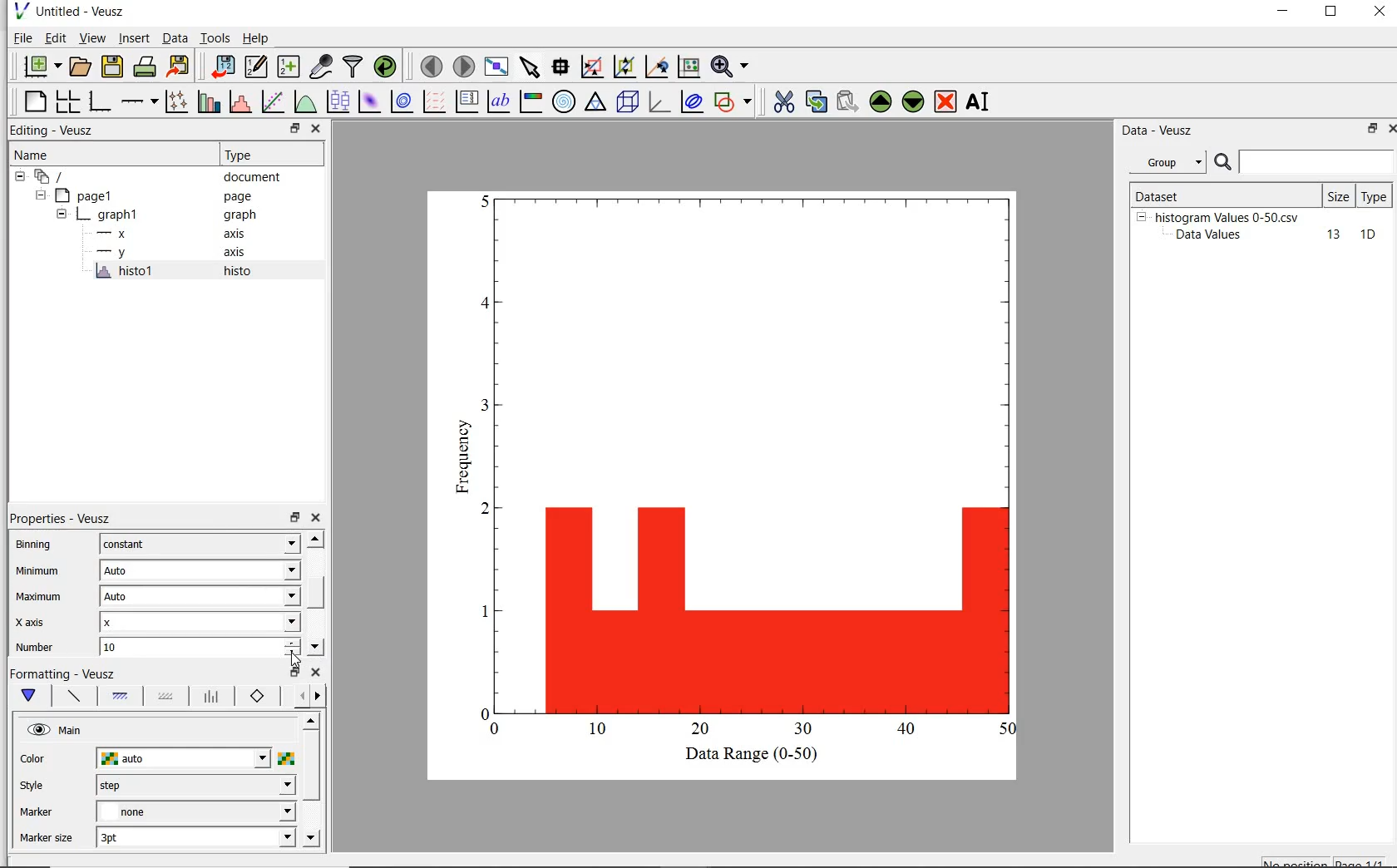 This screenshot has width=1397, height=868. What do you see at coordinates (200, 544) in the screenshot?
I see `constant` at bounding box center [200, 544].